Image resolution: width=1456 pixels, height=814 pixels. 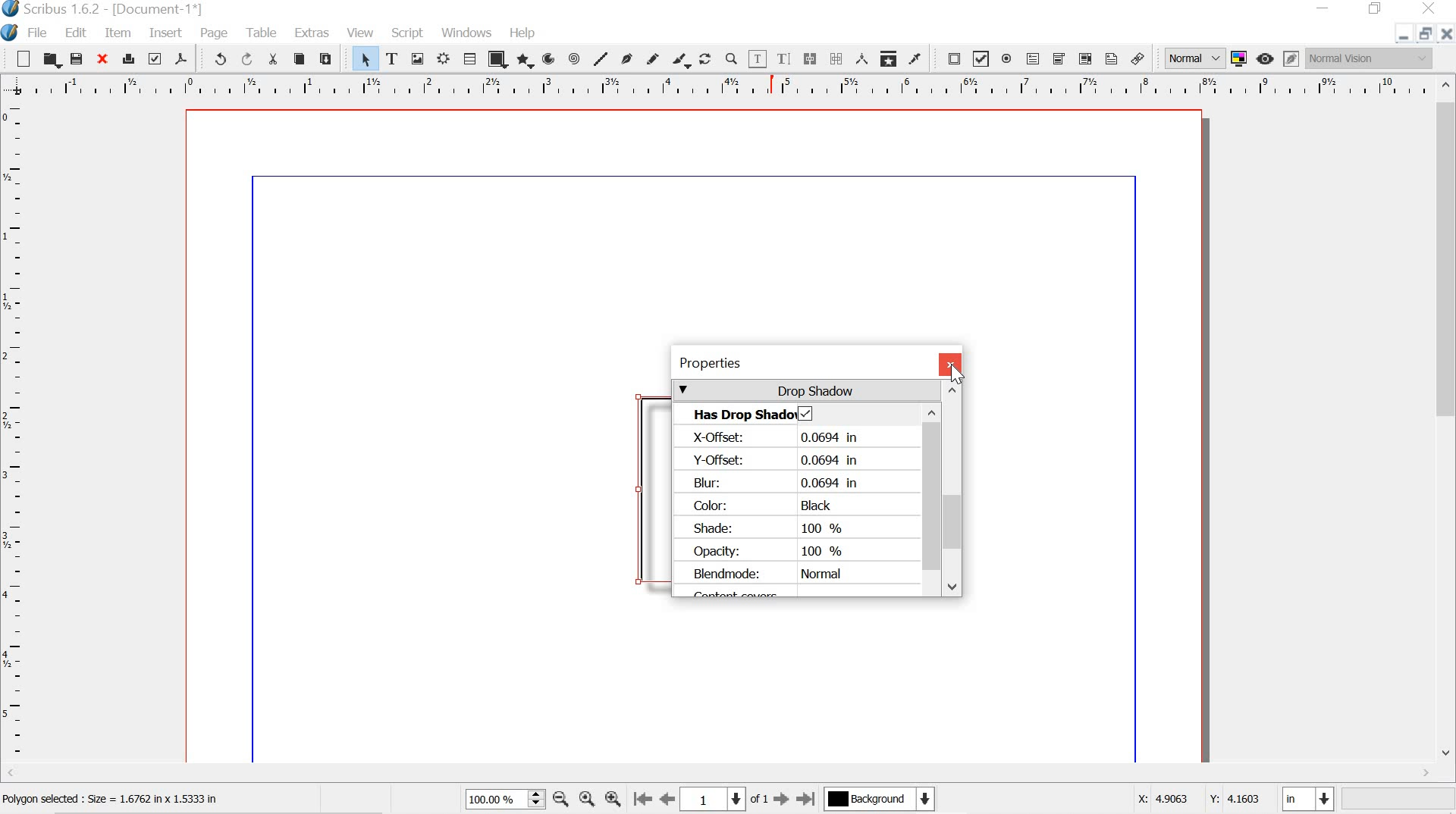 What do you see at coordinates (366, 59) in the screenshot?
I see `select item` at bounding box center [366, 59].